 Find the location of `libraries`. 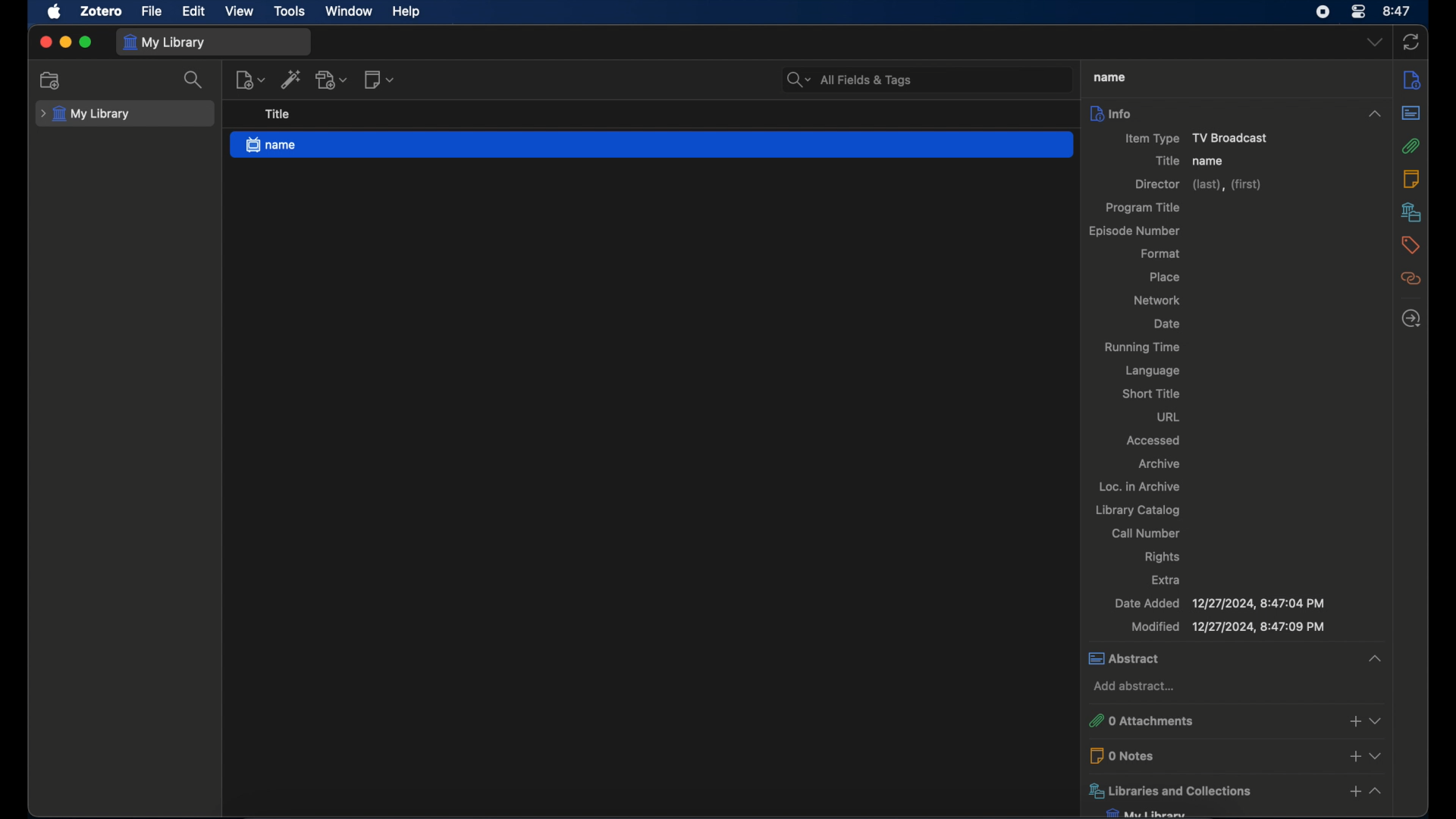

libraries is located at coordinates (1410, 212).